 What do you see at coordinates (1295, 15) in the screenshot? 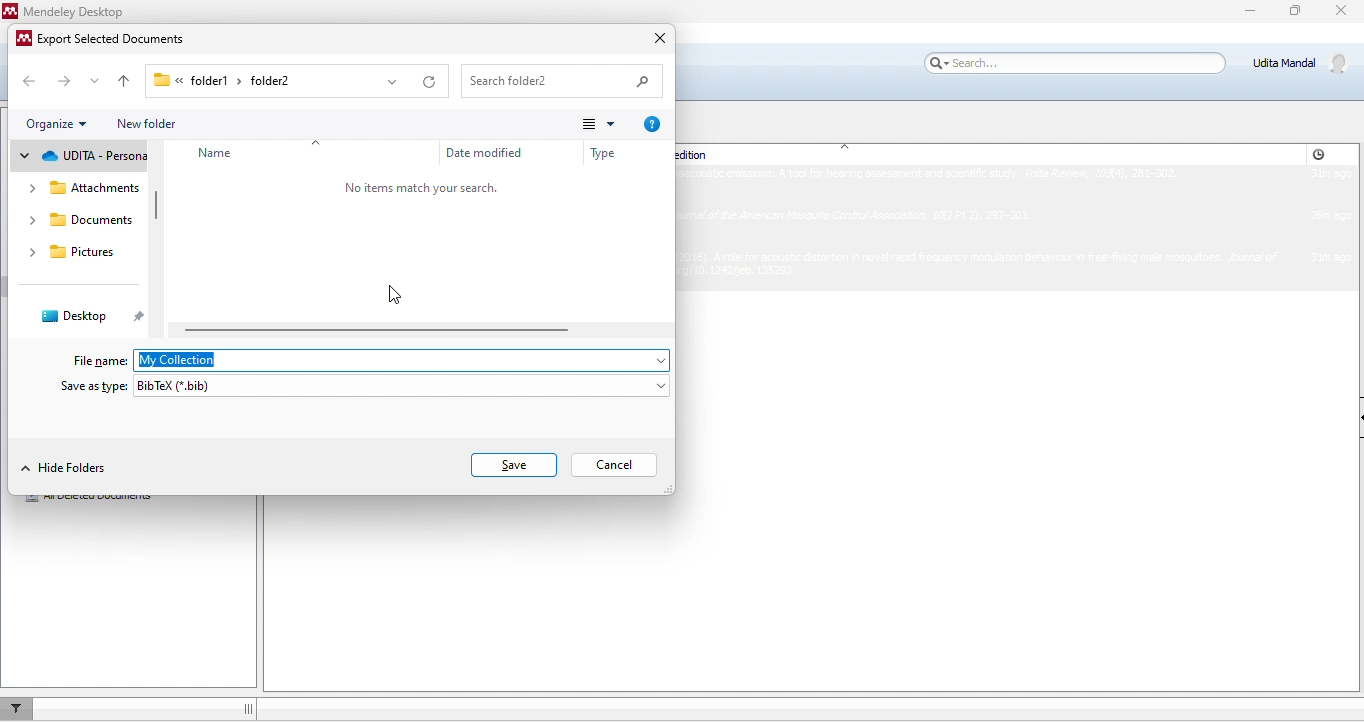
I see `maximize` at bounding box center [1295, 15].